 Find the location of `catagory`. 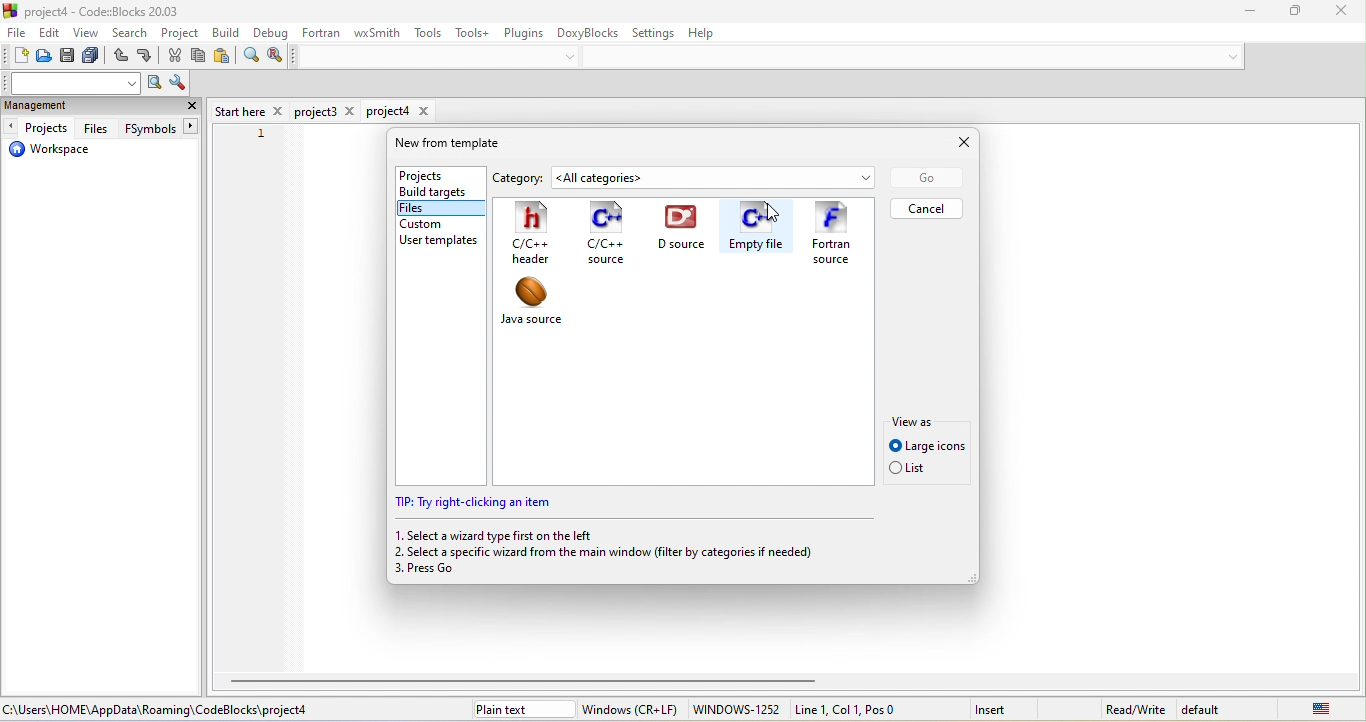

catagory is located at coordinates (525, 176).